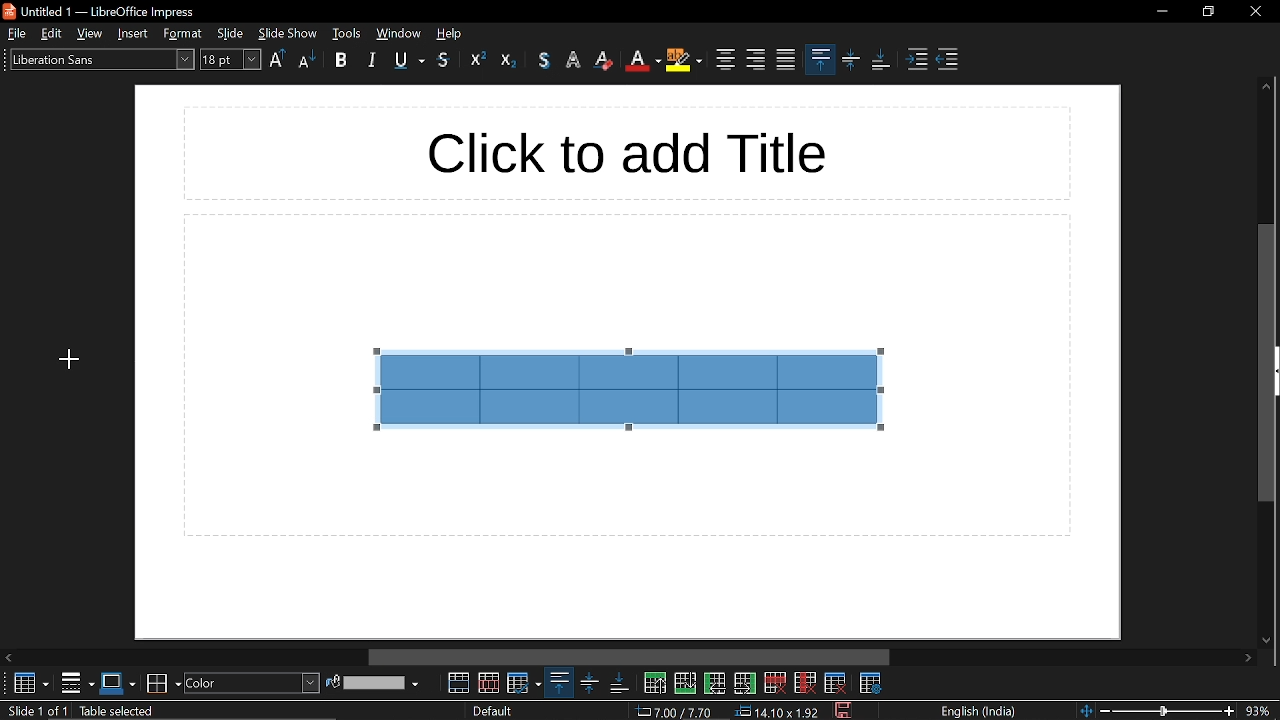 This screenshot has height=720, width=1280. I want to click on current slide, so click(34, 712).